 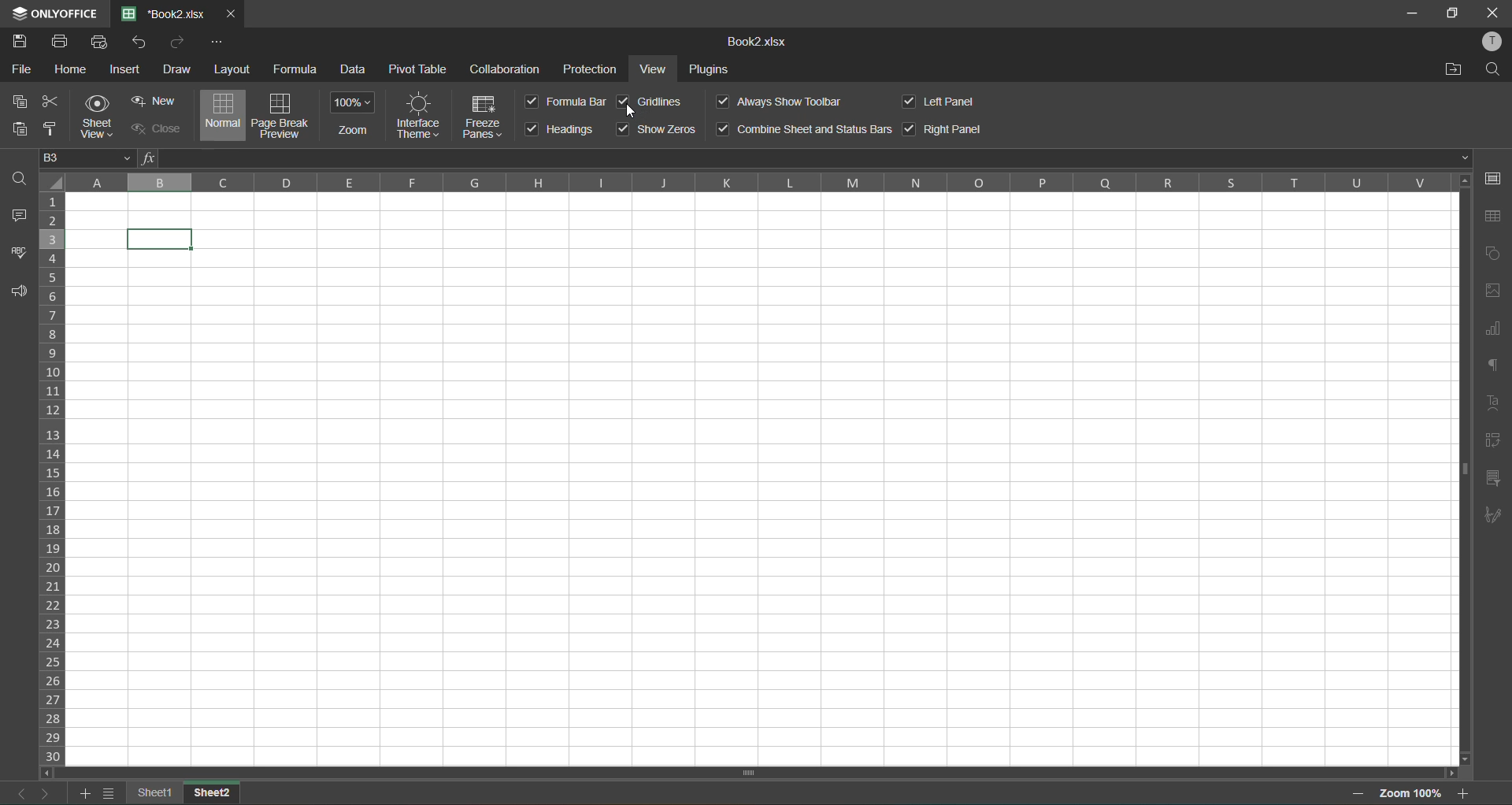 What do you see at coordinates (85, 161) in the screenshot?
I see `B3` at bounding box center [85, 161].